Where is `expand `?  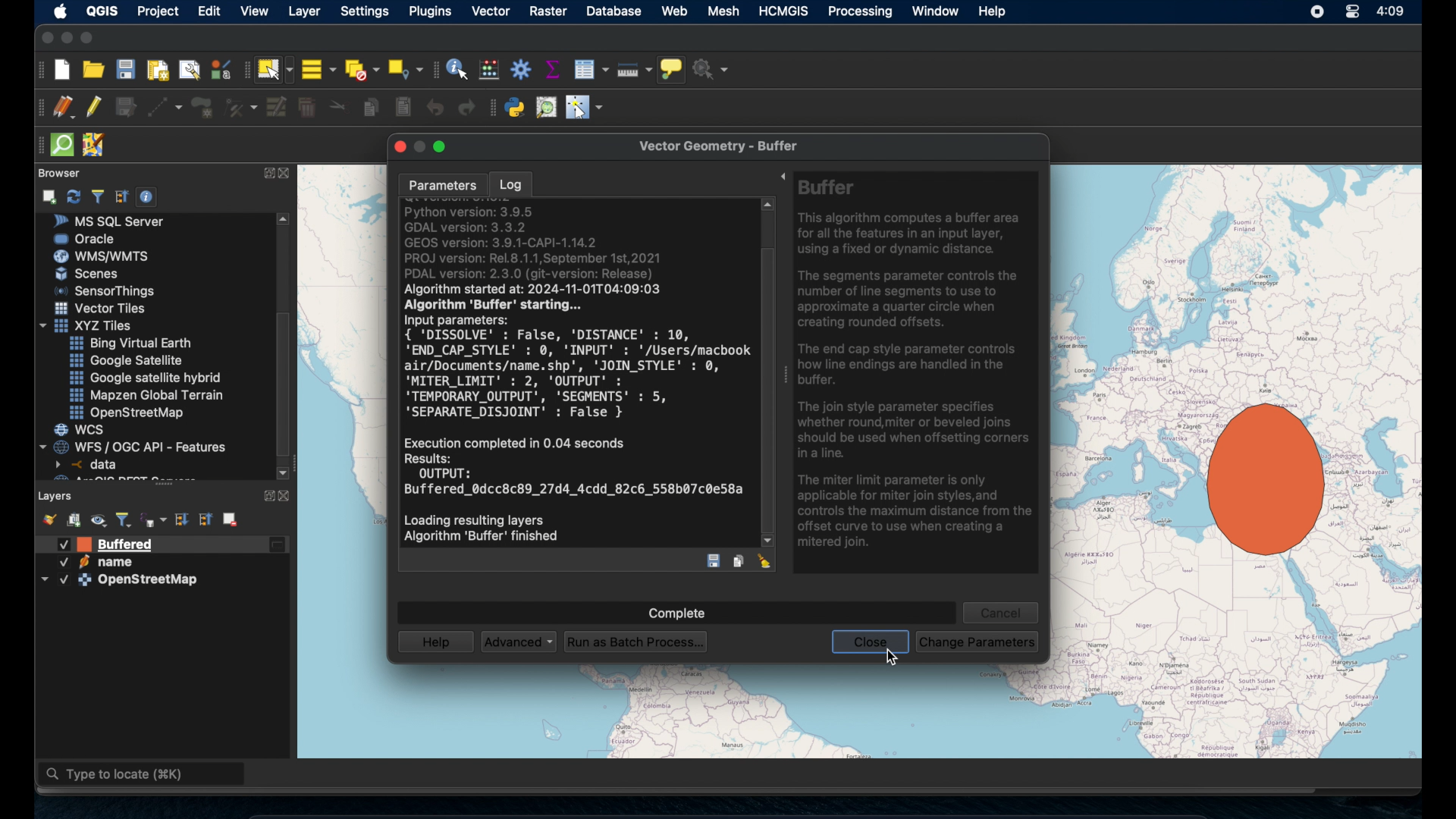 expand  is located at coordinates (781, 175).